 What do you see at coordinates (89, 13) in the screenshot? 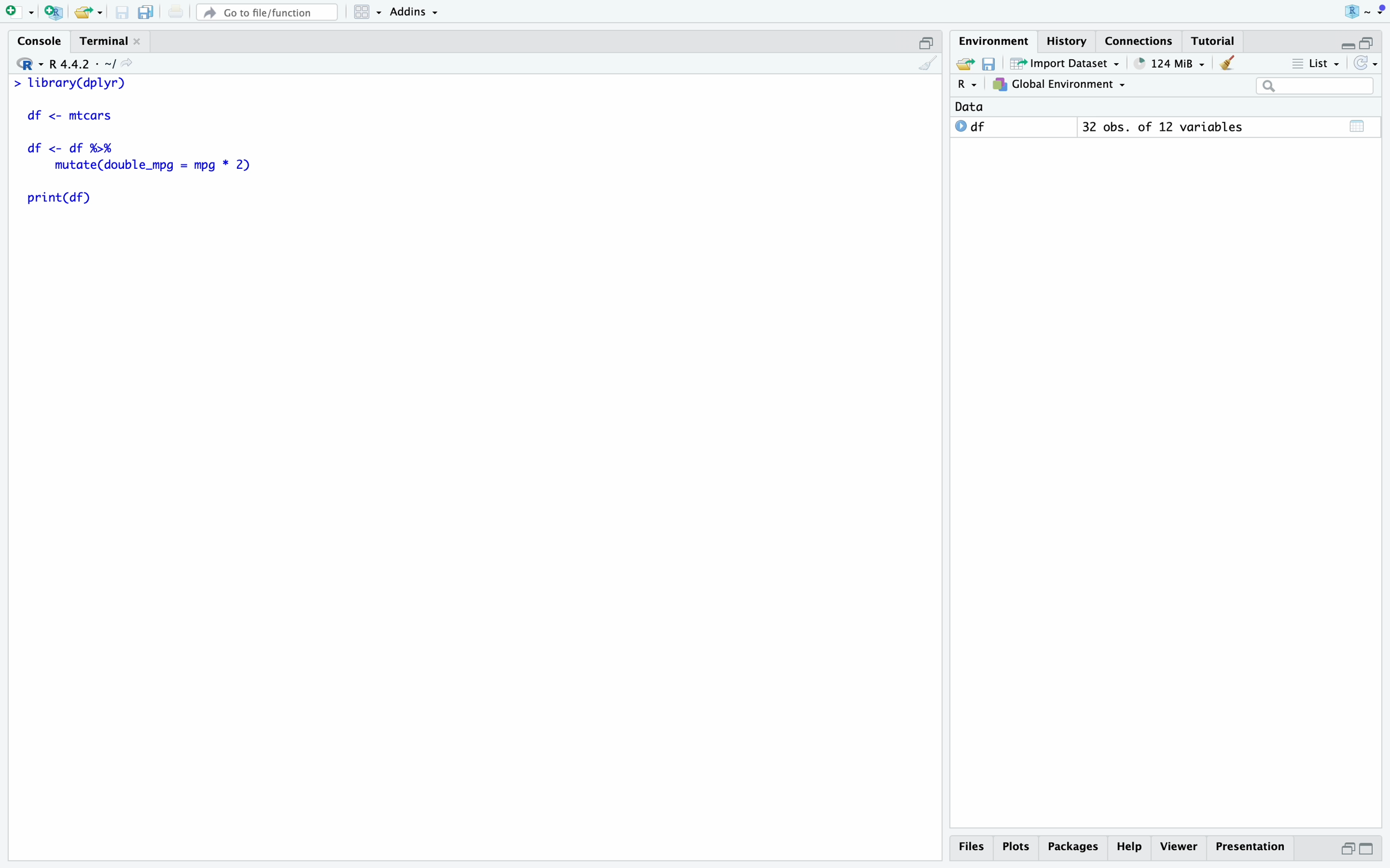
I see `share folder as` at bounding box center [89, 13].